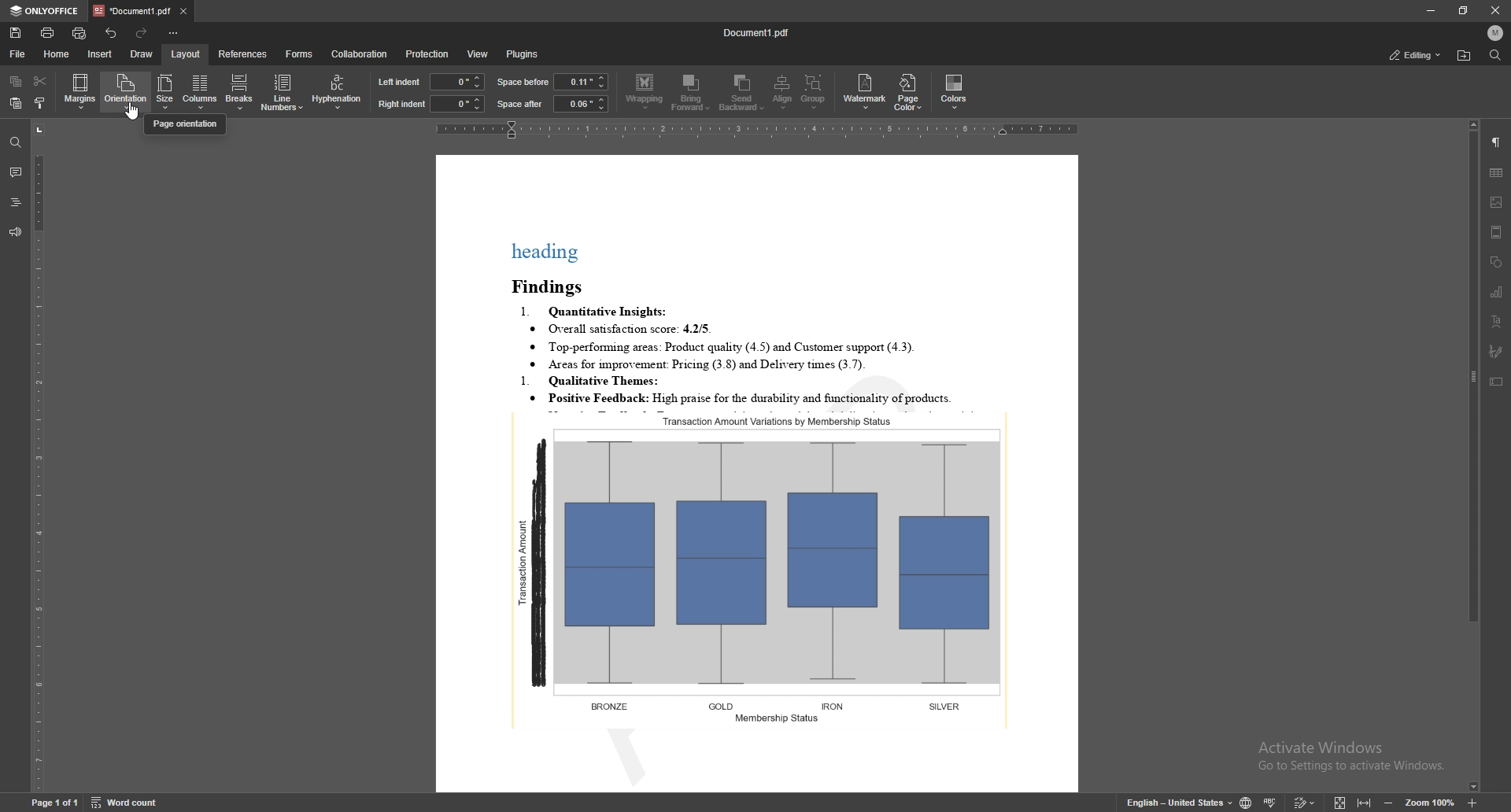 The width and height of the screenshot is (1511, 812). Describe the element at coordinates (142, 54) in the screenshot. I see `draw` at that location.